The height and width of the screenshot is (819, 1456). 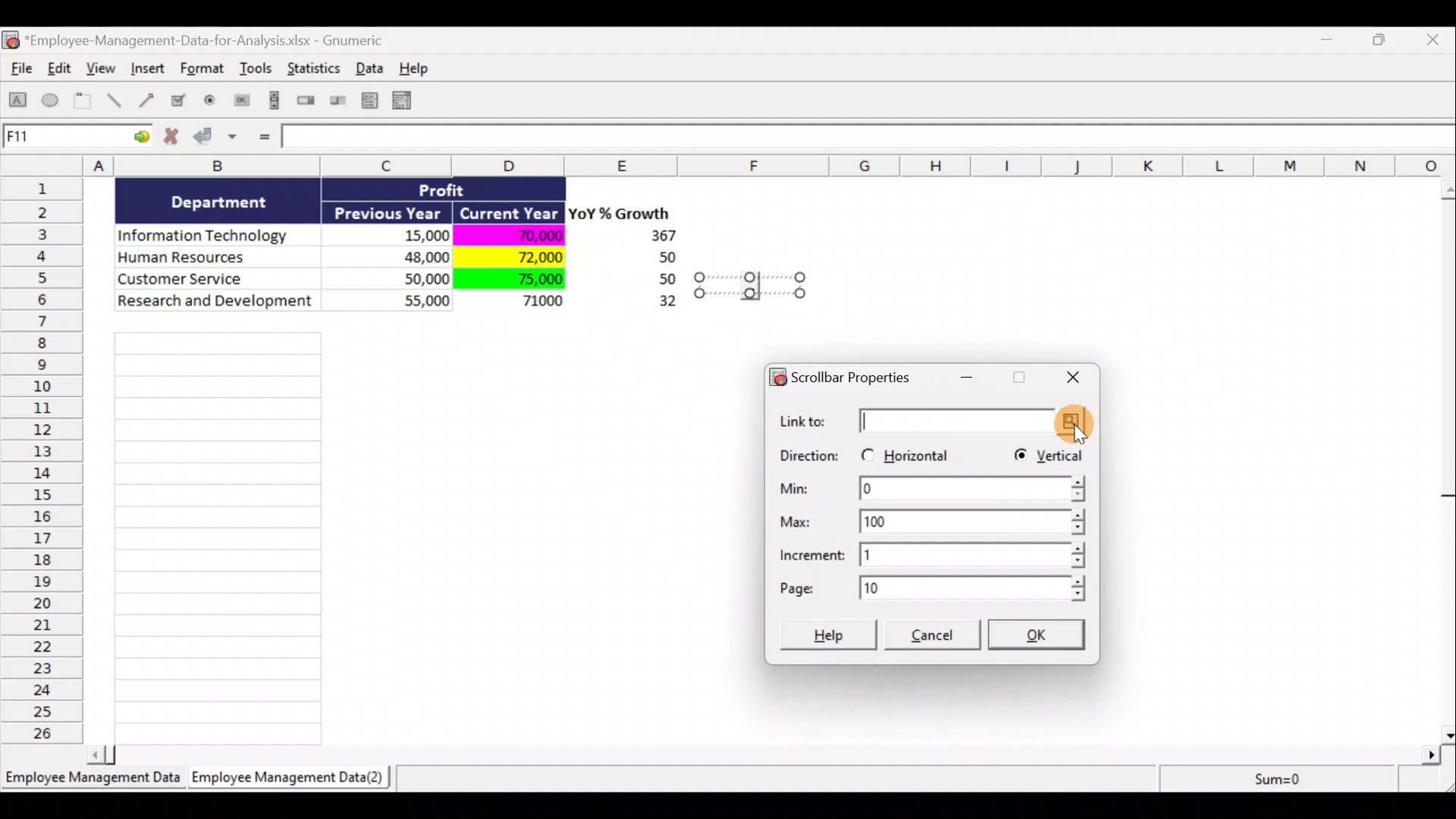 I want to click on Link to, so click(x=937, y=422).